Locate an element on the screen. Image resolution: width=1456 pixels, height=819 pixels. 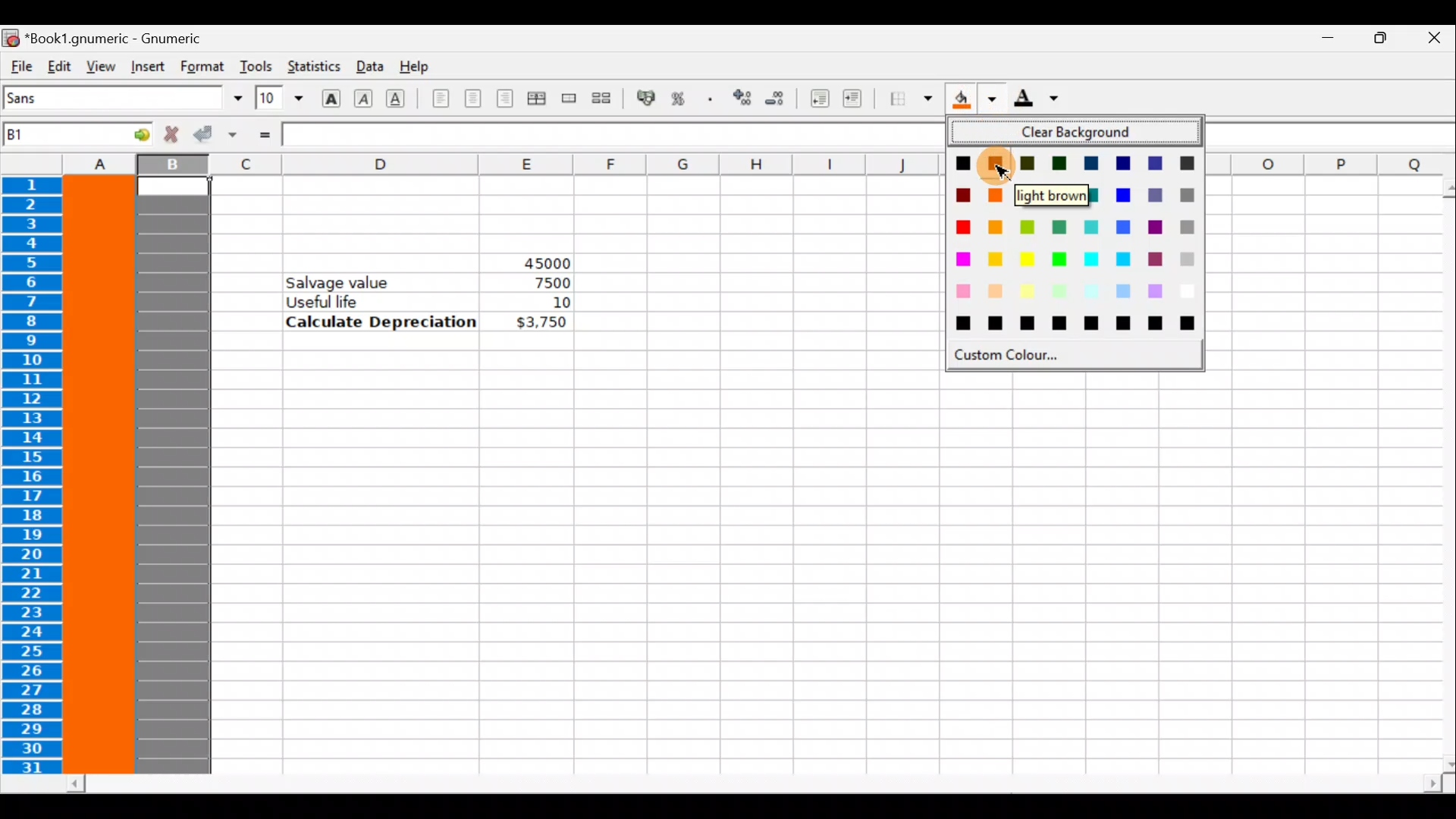
Gnumeric logo is located at coordinates (11, 37).